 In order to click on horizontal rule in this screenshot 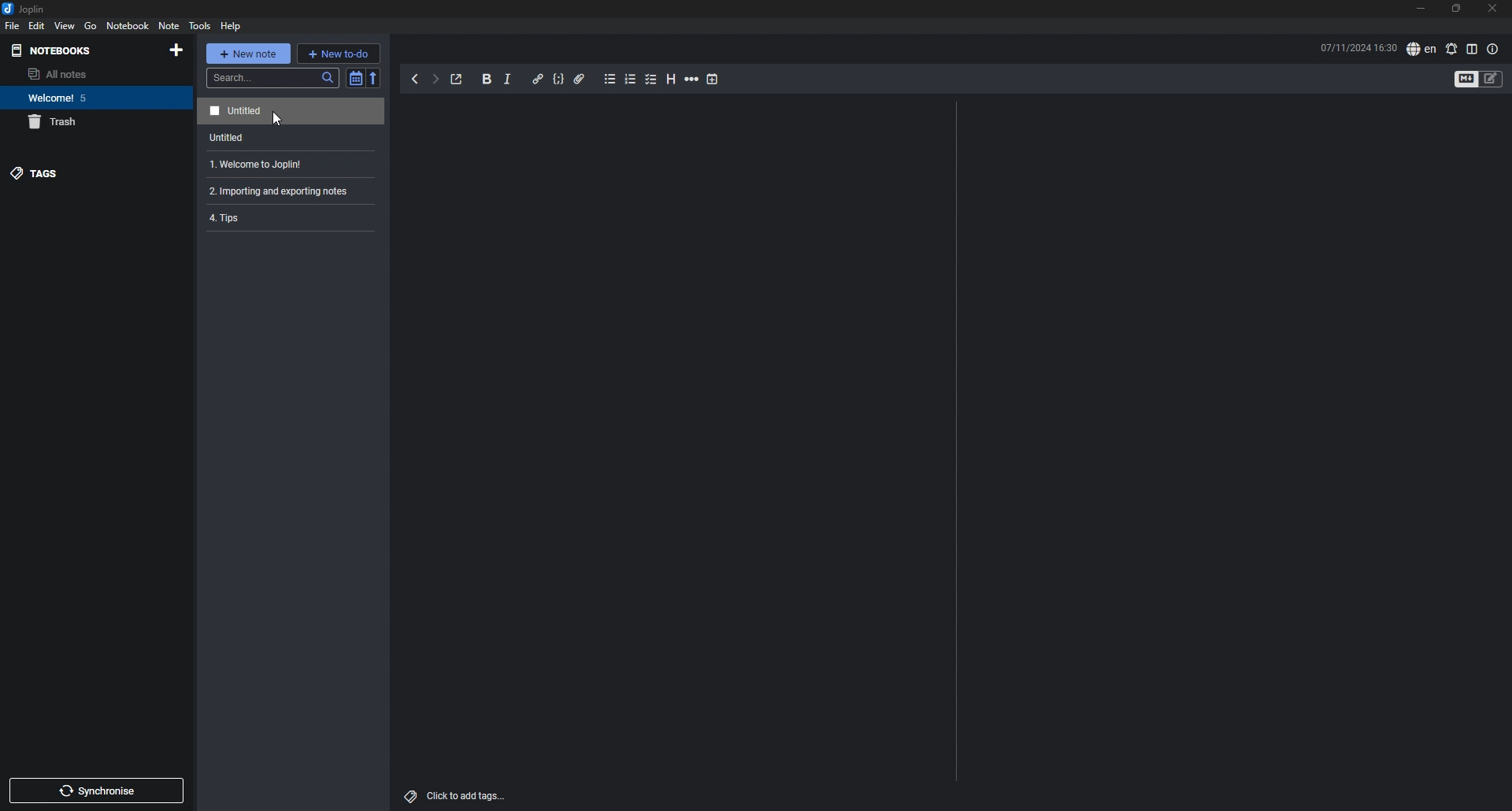, I will do `click(691, 80)`.